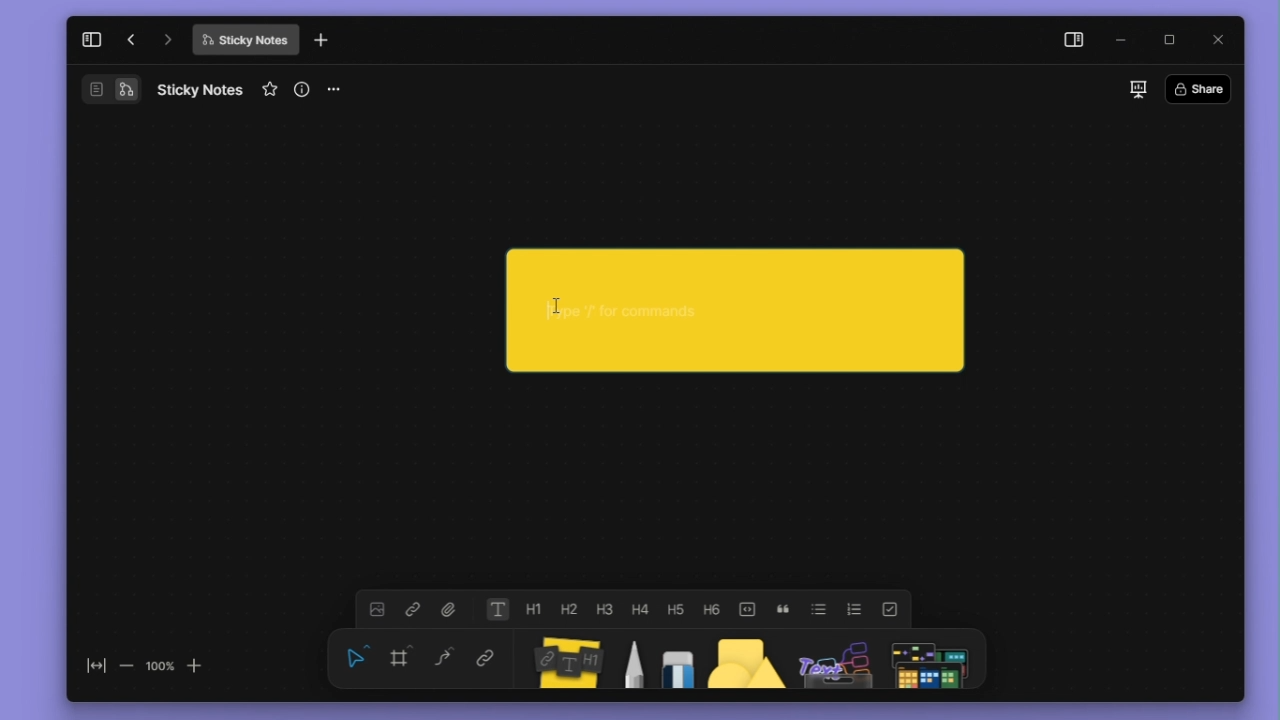 The image size is (1280, 720). What do you see at coordinates (1120, 41) in the screenshot?
I see `minimize` at bounding box center [1120, 41].